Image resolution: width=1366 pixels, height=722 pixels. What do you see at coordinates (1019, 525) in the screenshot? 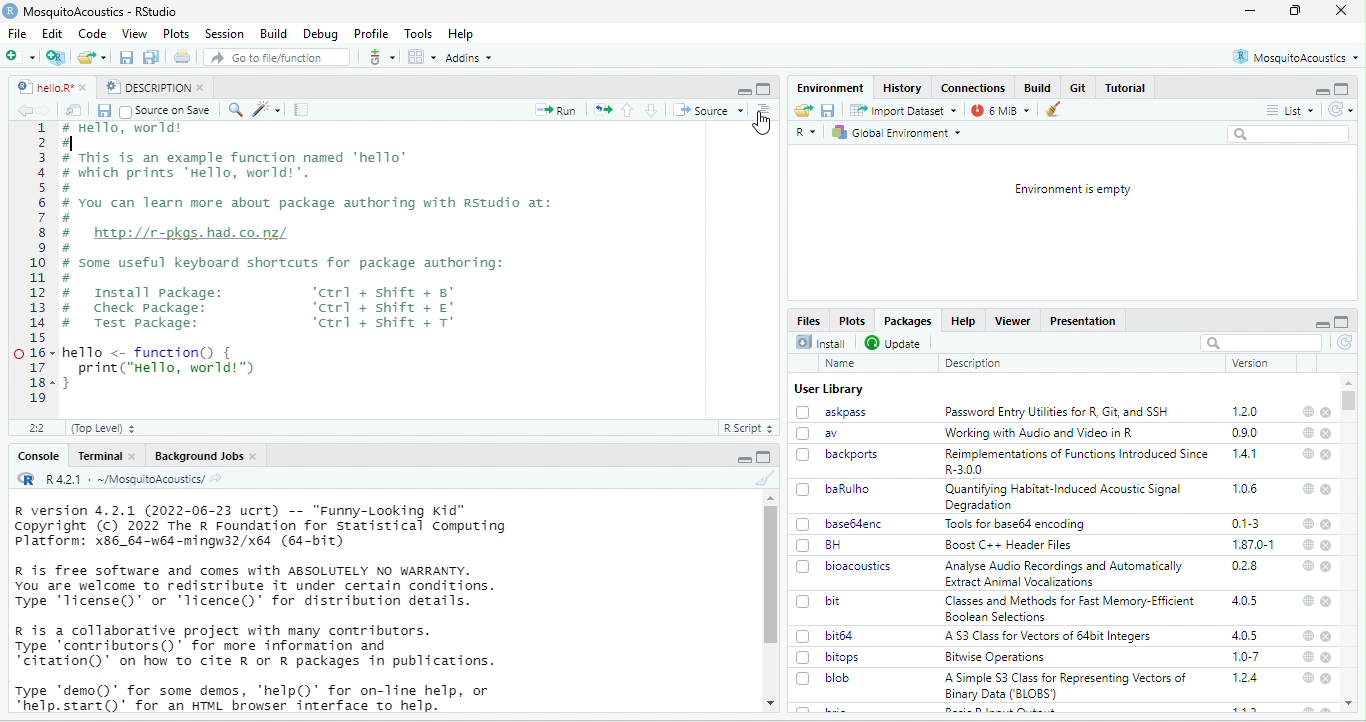
I see `Tools for base64 encoding` at bounding box center [1019, 525].